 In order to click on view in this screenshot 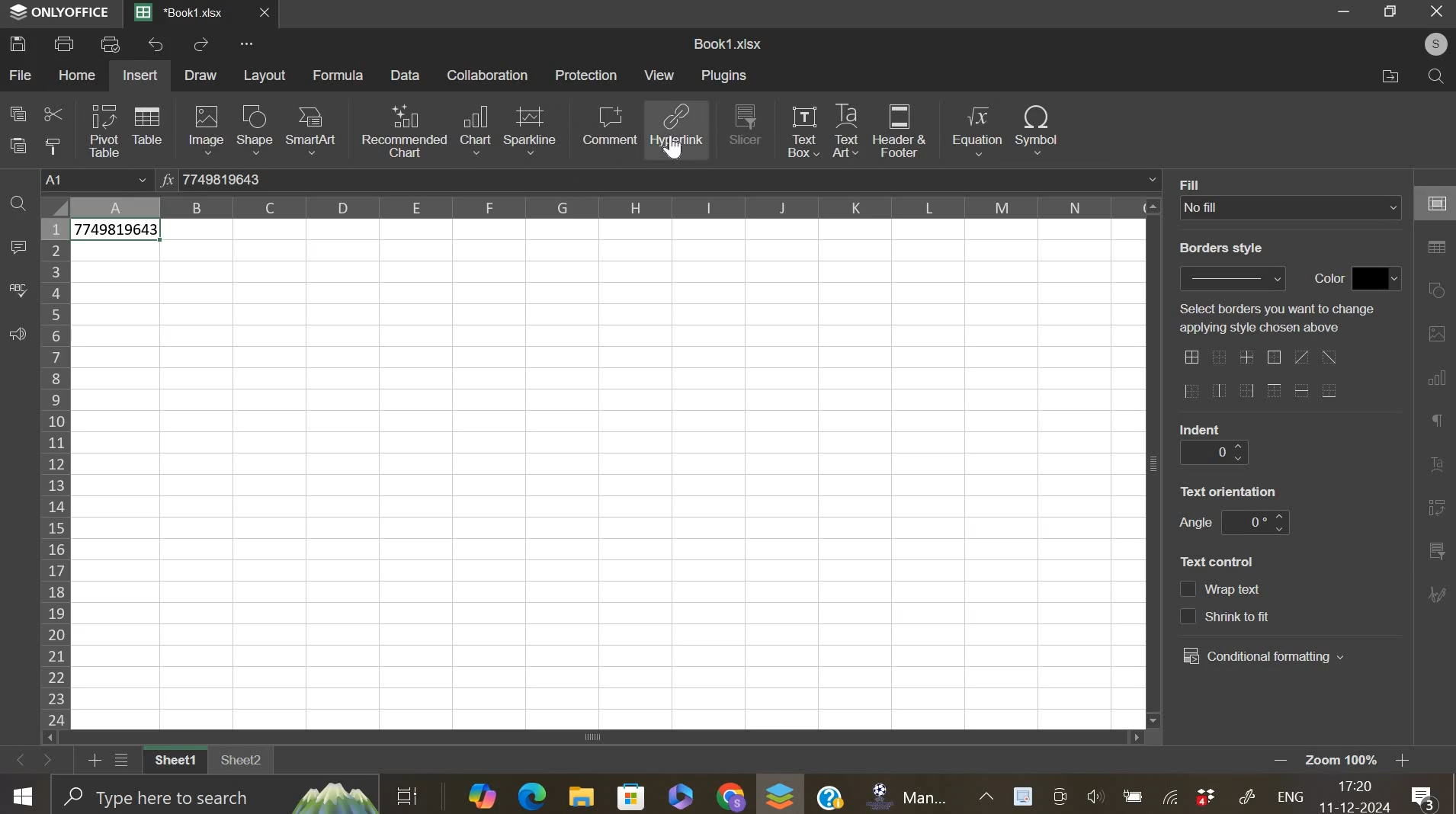, I will do `click(660, 75)`.